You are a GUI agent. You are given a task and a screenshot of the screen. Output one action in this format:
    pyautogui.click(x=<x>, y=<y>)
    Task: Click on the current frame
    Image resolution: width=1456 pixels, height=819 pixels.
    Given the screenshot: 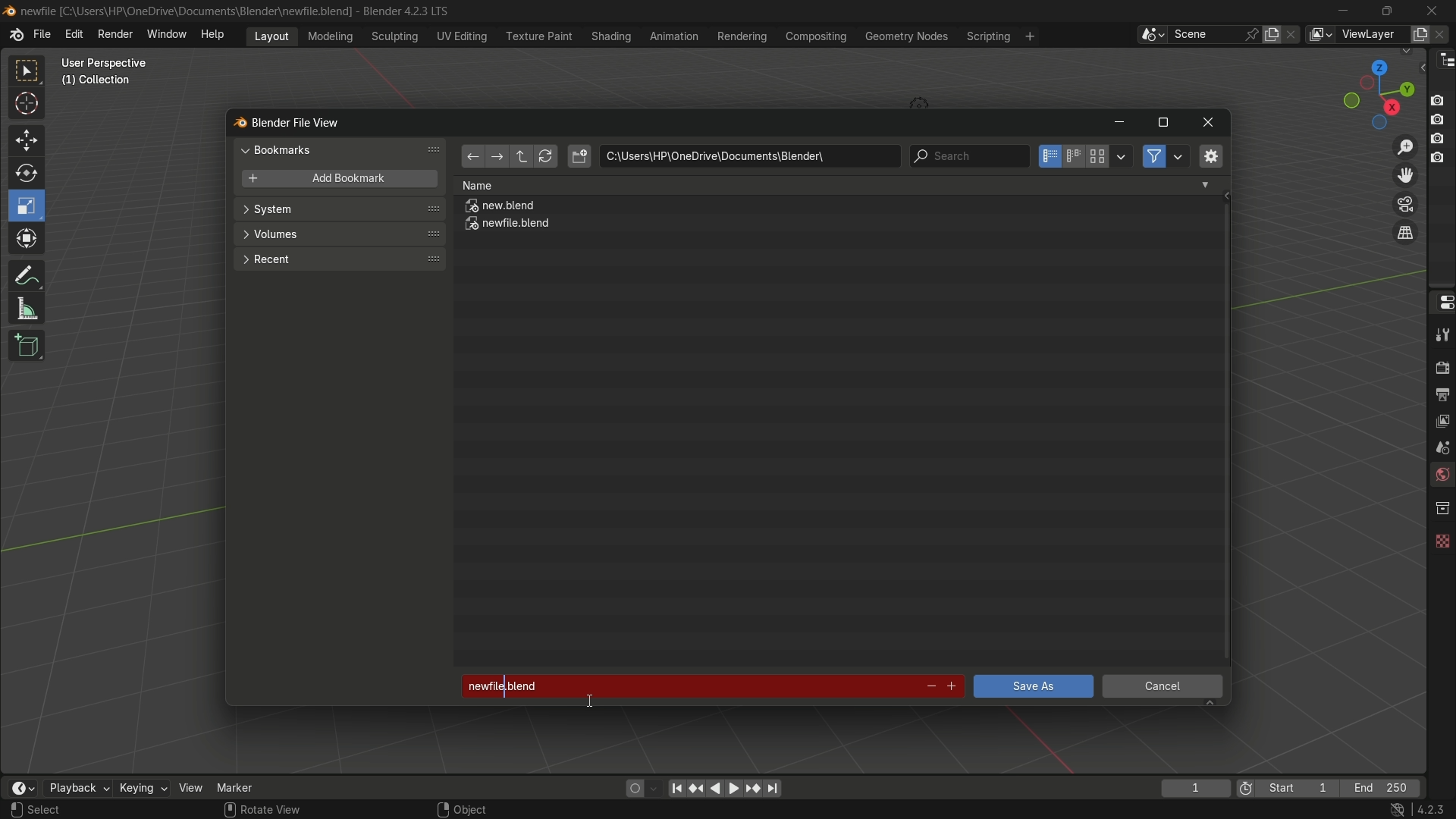 What is the action you would take?
    pyautogui.click(x=1194, y=788)
    